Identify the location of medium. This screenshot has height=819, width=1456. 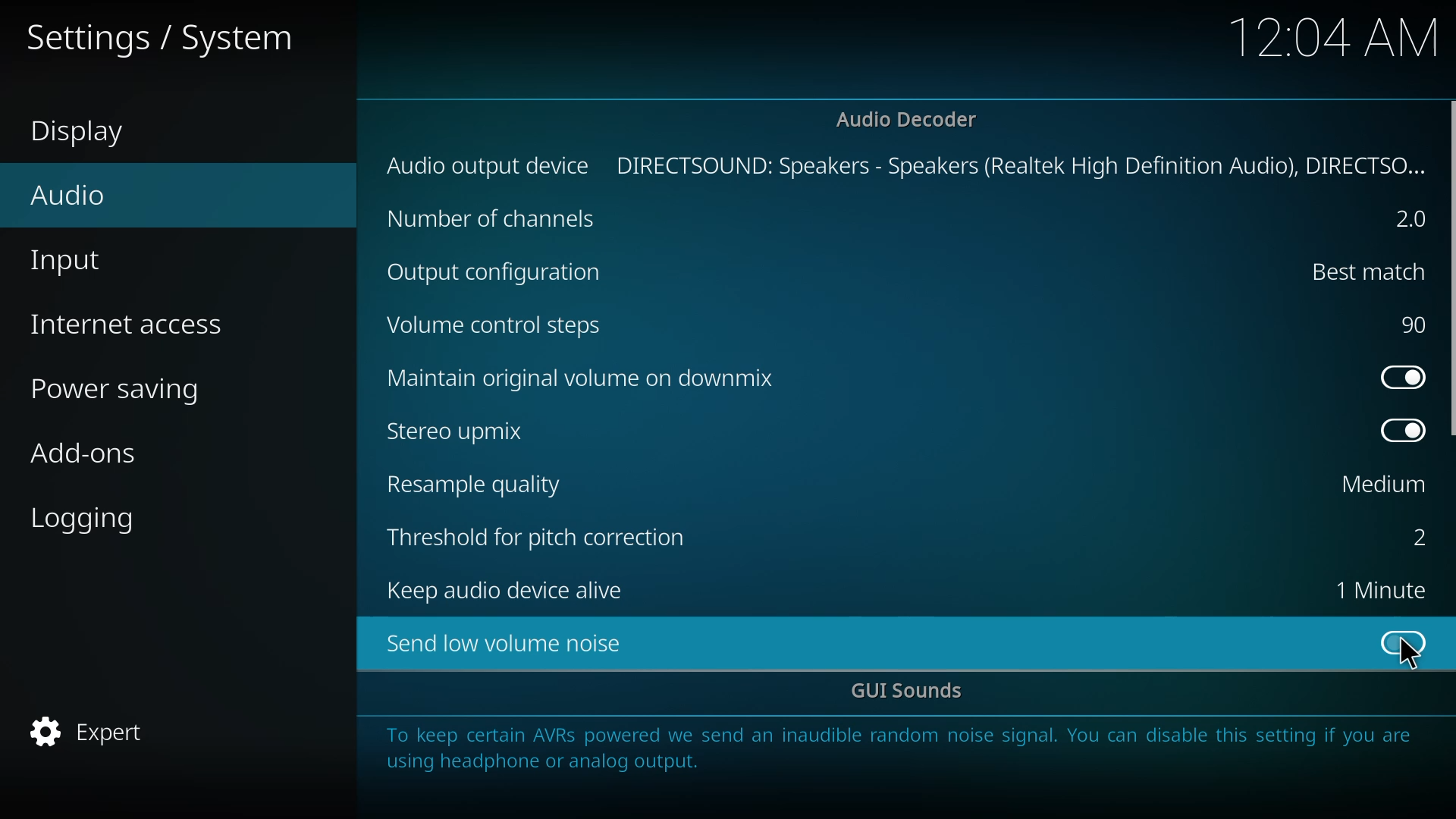
(1379, 486).